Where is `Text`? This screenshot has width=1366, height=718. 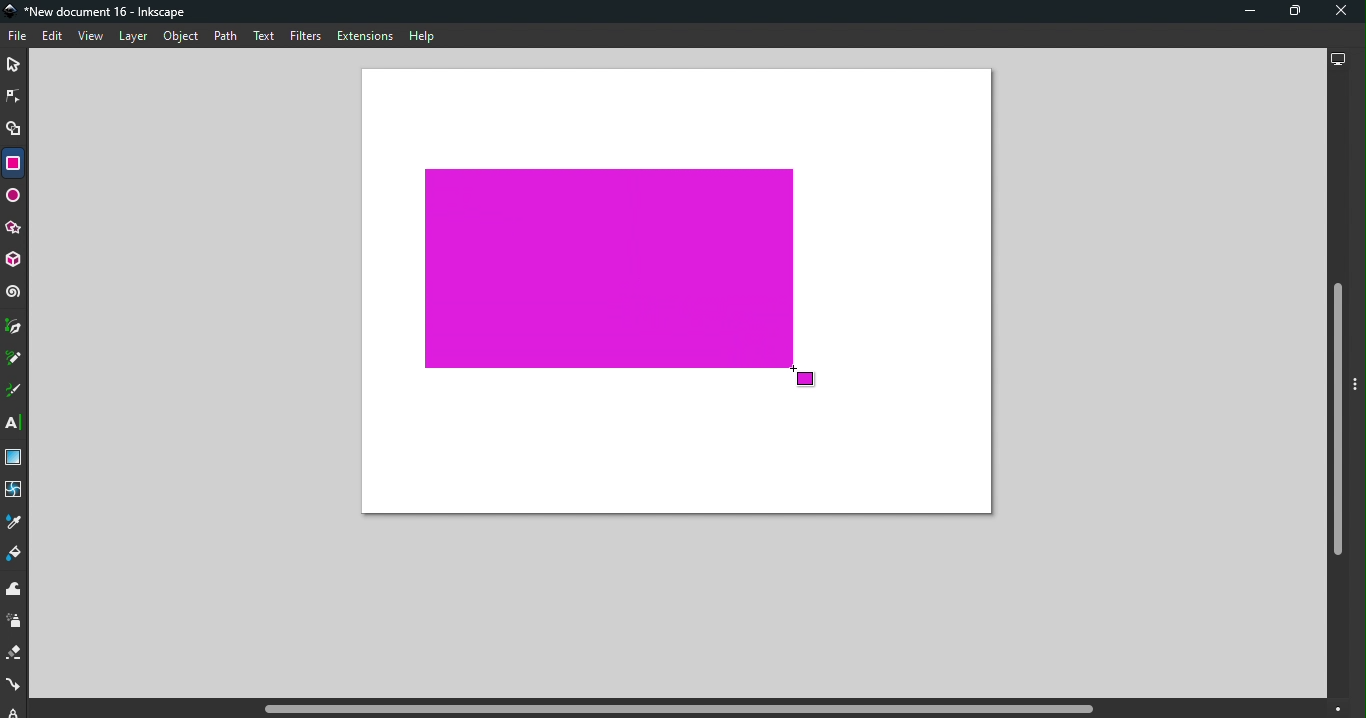 Text is located at coordinates (266, 37).